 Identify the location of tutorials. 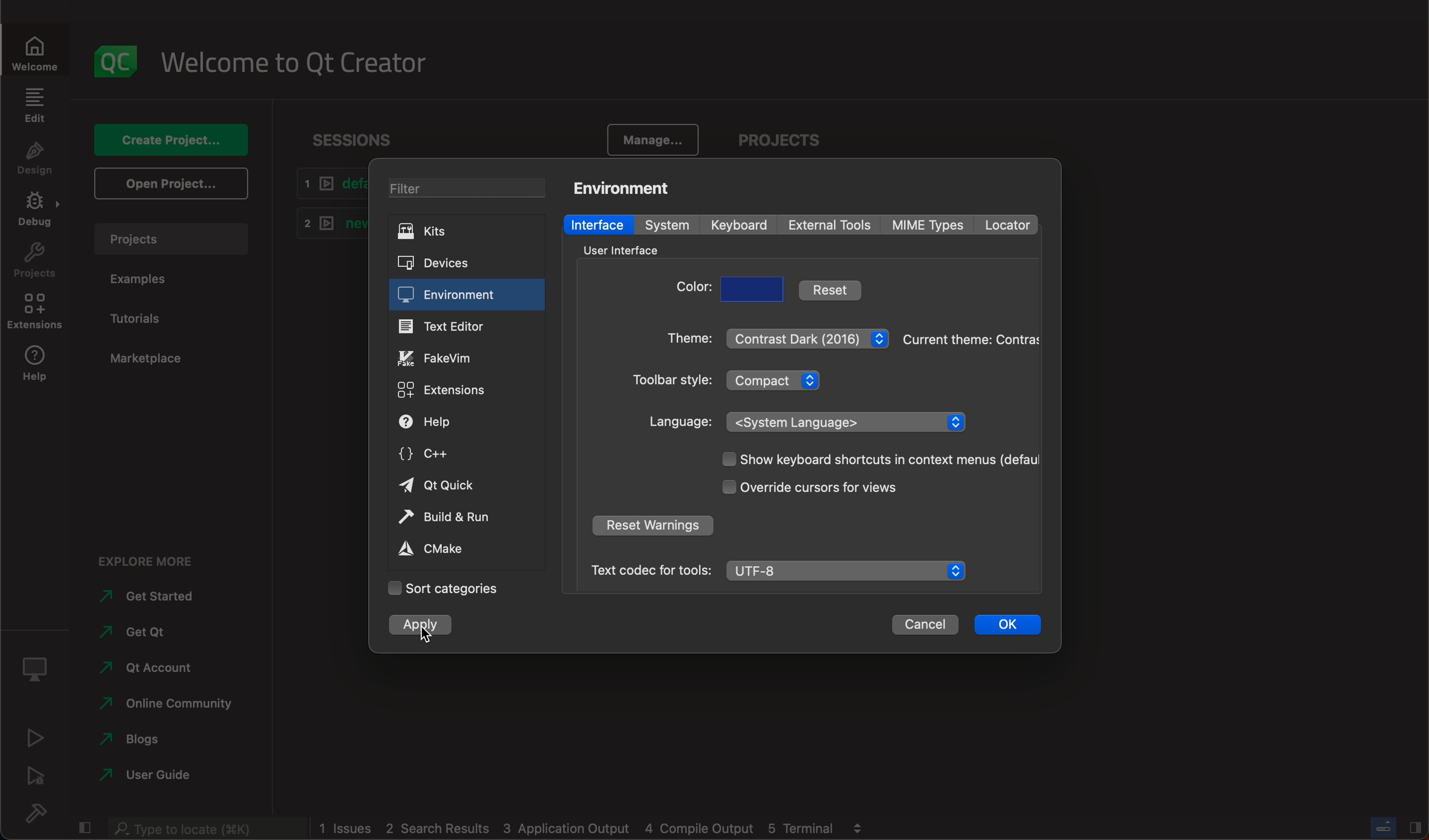
(151, 317).